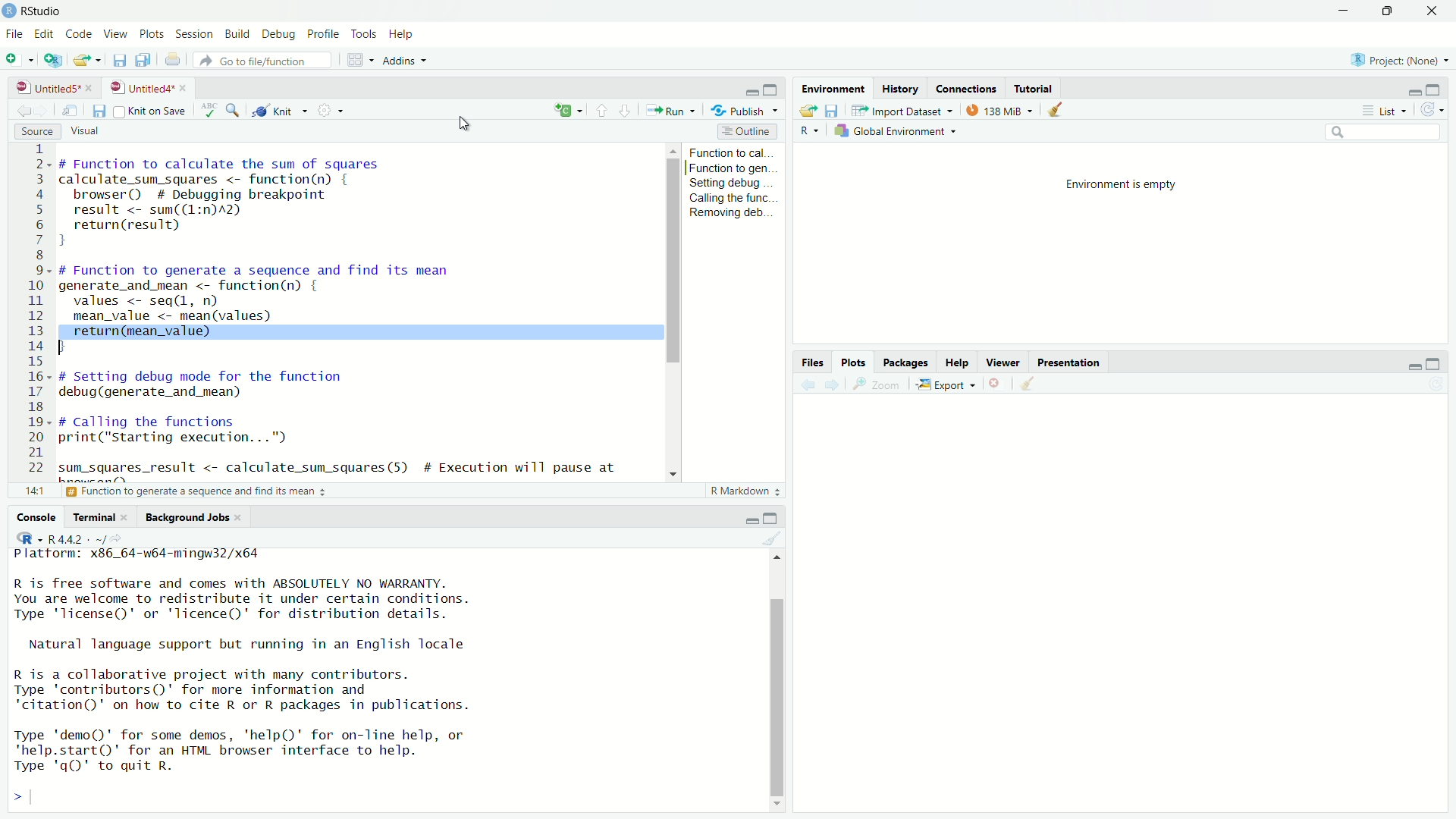 The height and width of the screenshot is (819, 1456). What do you see at coordinates (773, 516) in the screenshot?
I see `maximize` at bounding box center [773, 516].